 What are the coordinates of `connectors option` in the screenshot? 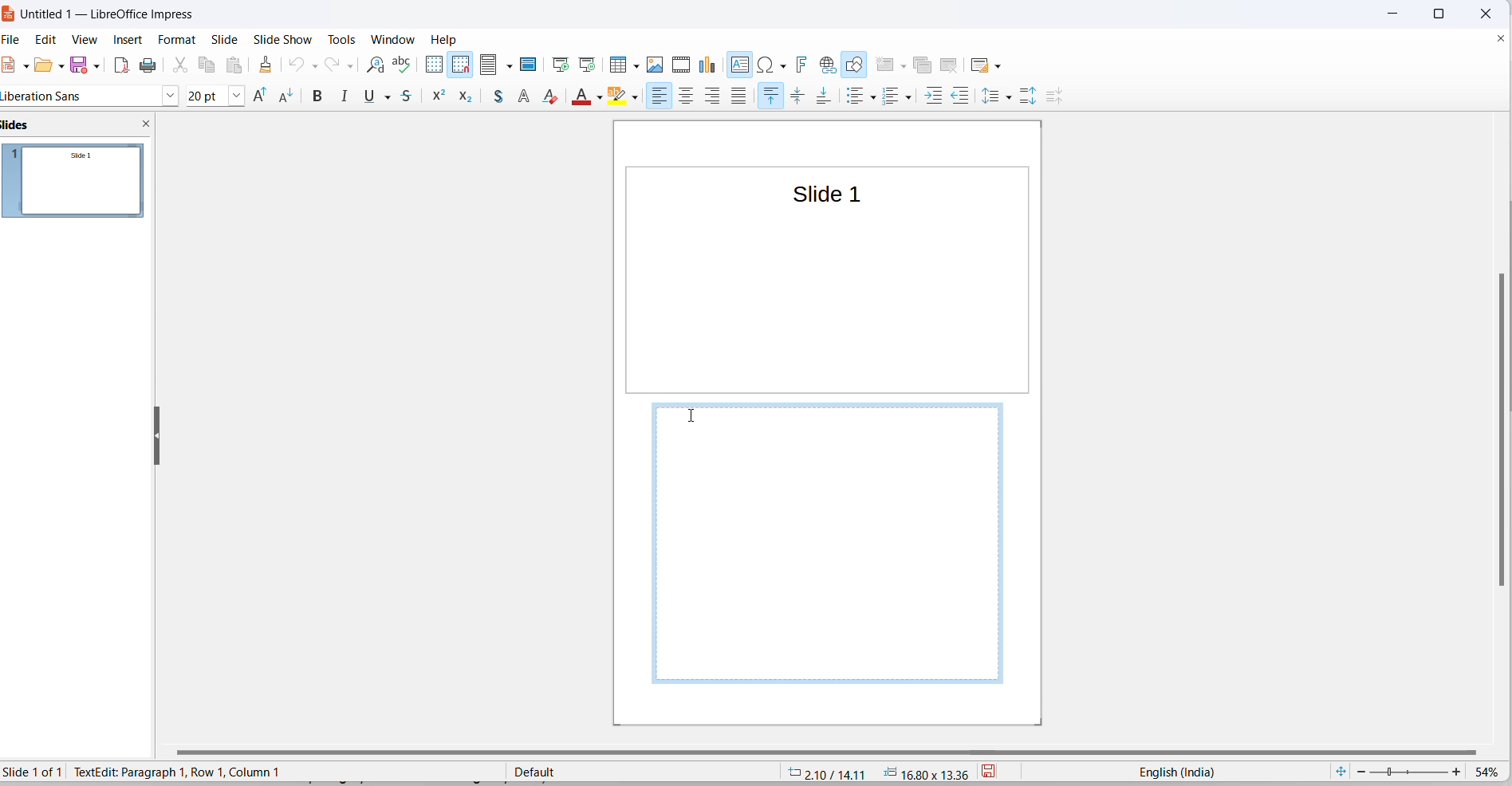 It's located at (319, 97).